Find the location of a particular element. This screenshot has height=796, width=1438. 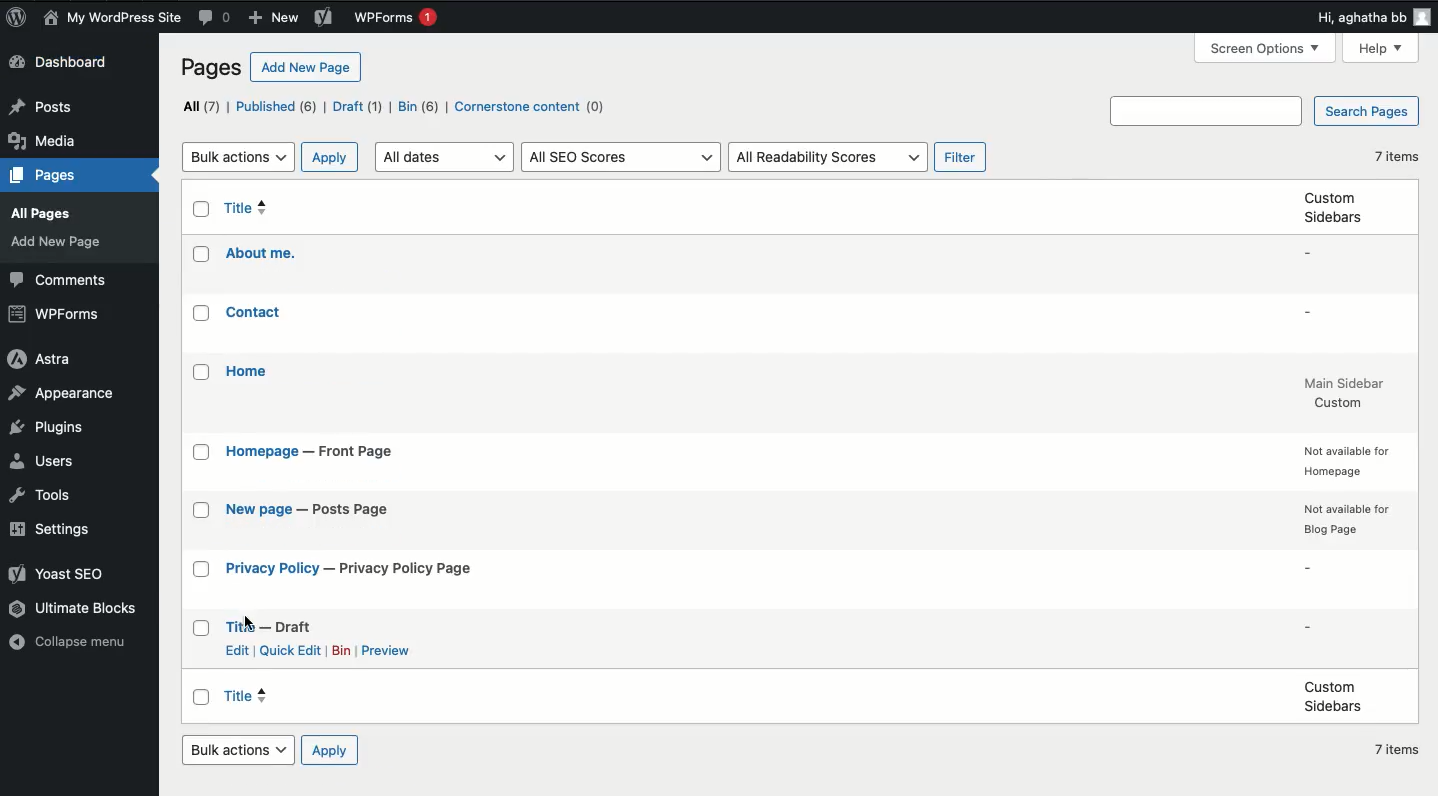

Title is located at coordinates (309, 510).